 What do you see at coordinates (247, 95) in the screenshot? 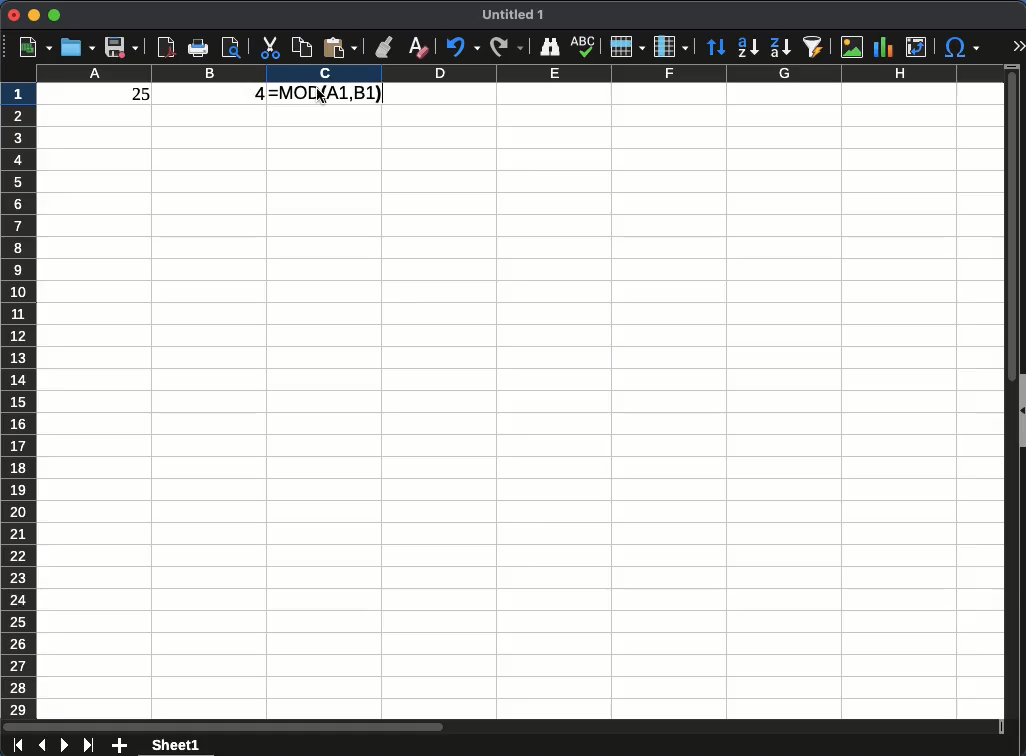
I see `4` at bounding box center [247, 95].